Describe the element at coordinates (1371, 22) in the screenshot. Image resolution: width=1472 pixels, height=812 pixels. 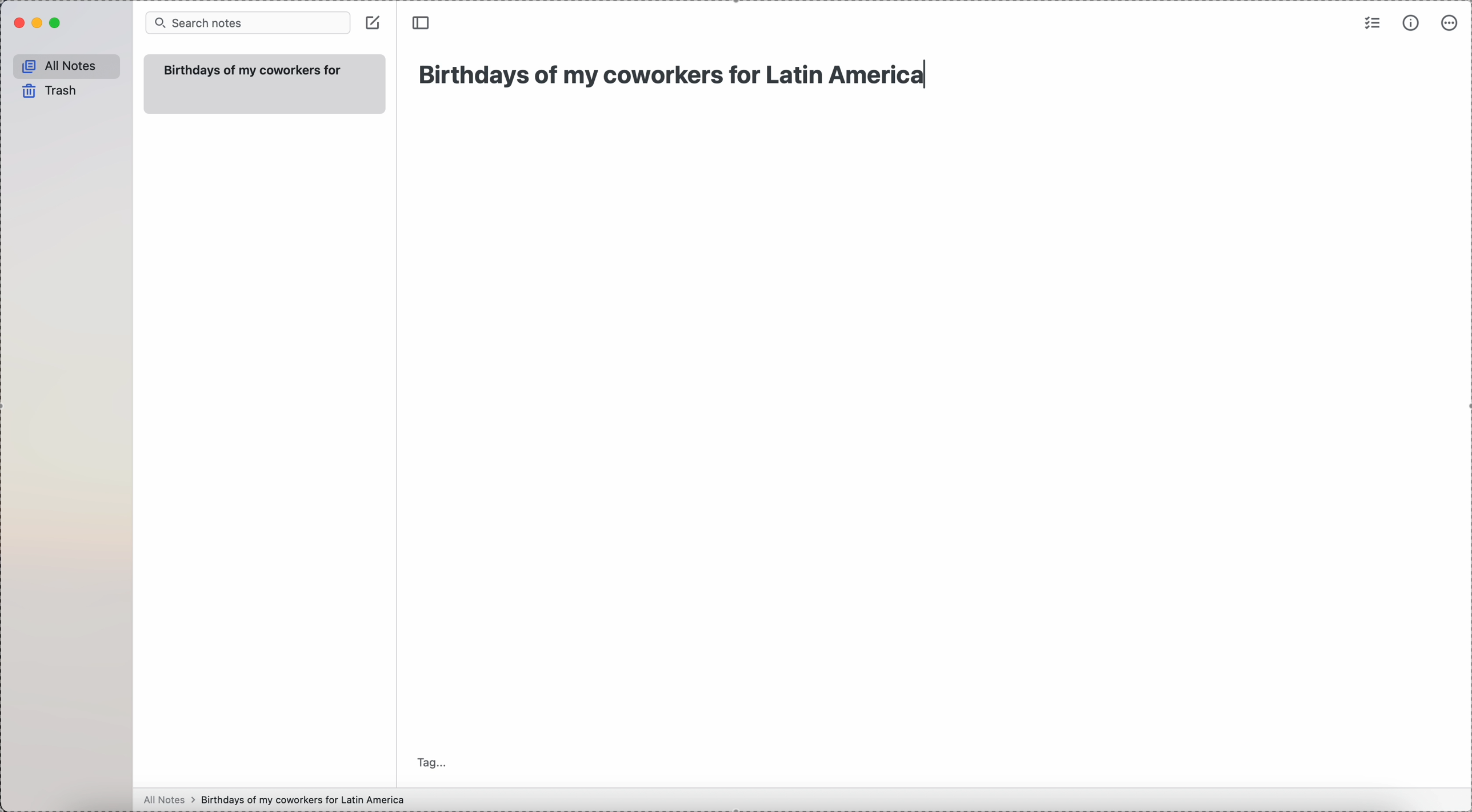
I see `check list` at that location.